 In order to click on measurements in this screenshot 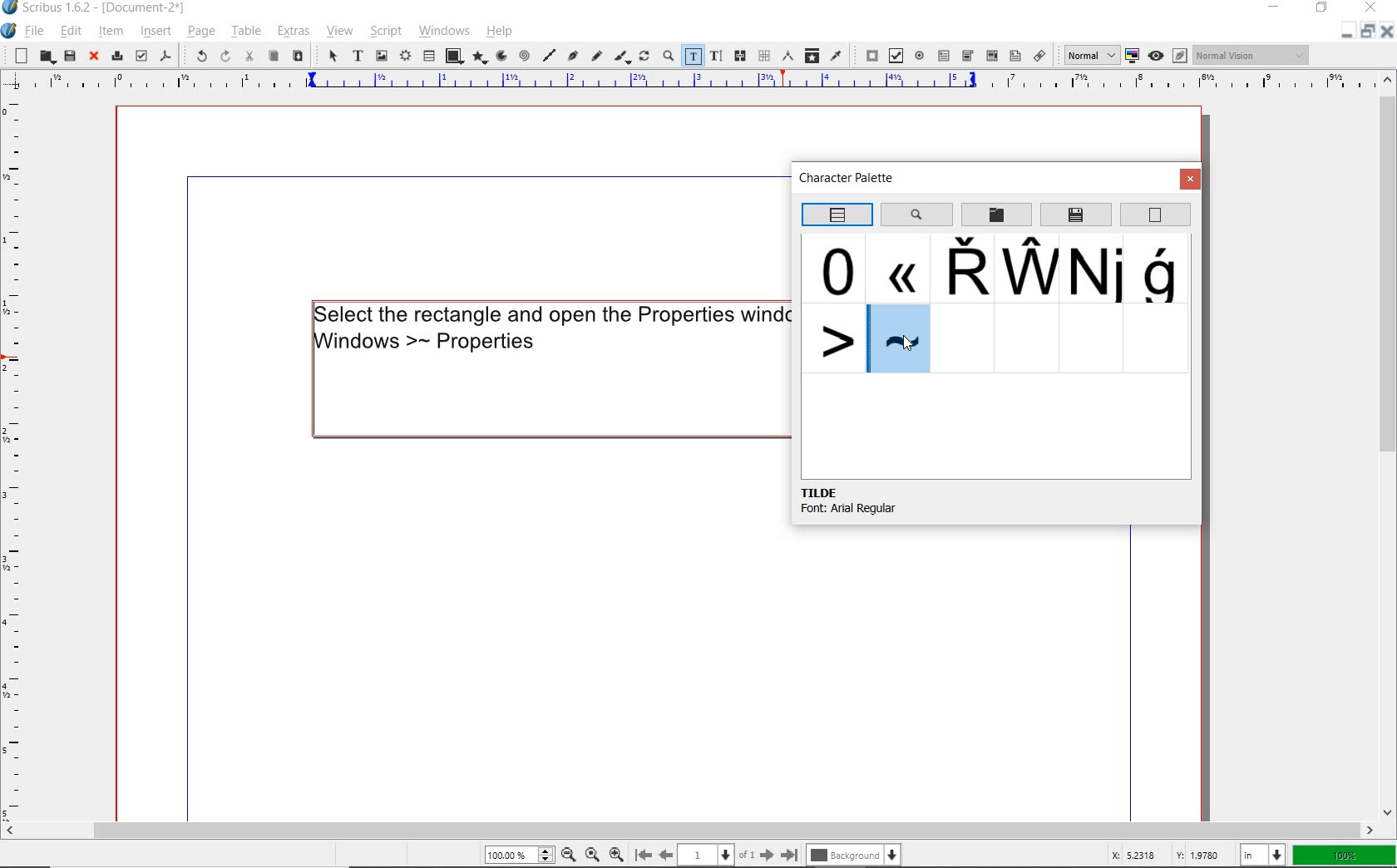, I will do `click(787, 55)`.